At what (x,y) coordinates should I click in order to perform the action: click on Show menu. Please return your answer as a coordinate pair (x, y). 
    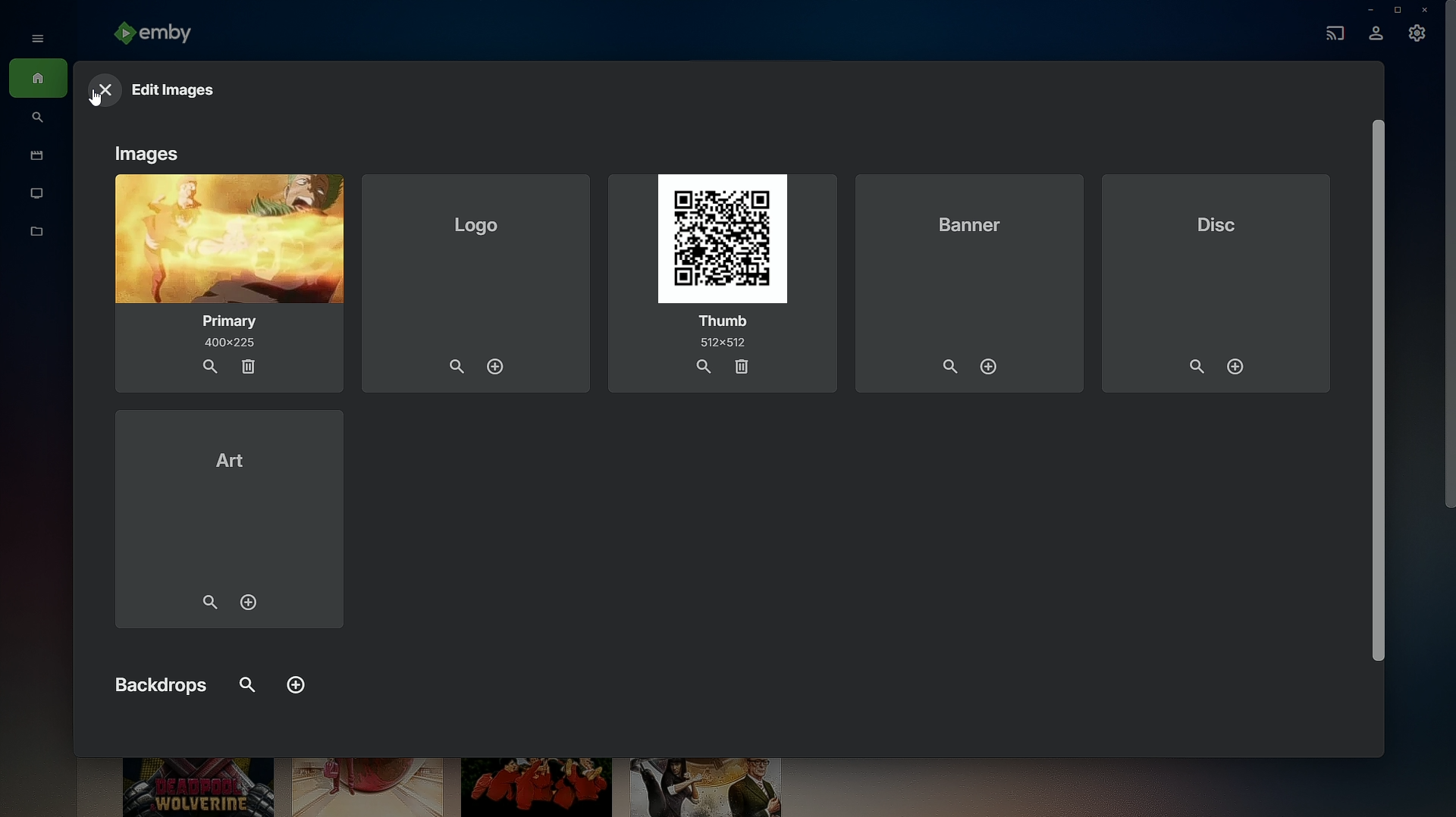
    Looking at the image, I should click on (33, 37).